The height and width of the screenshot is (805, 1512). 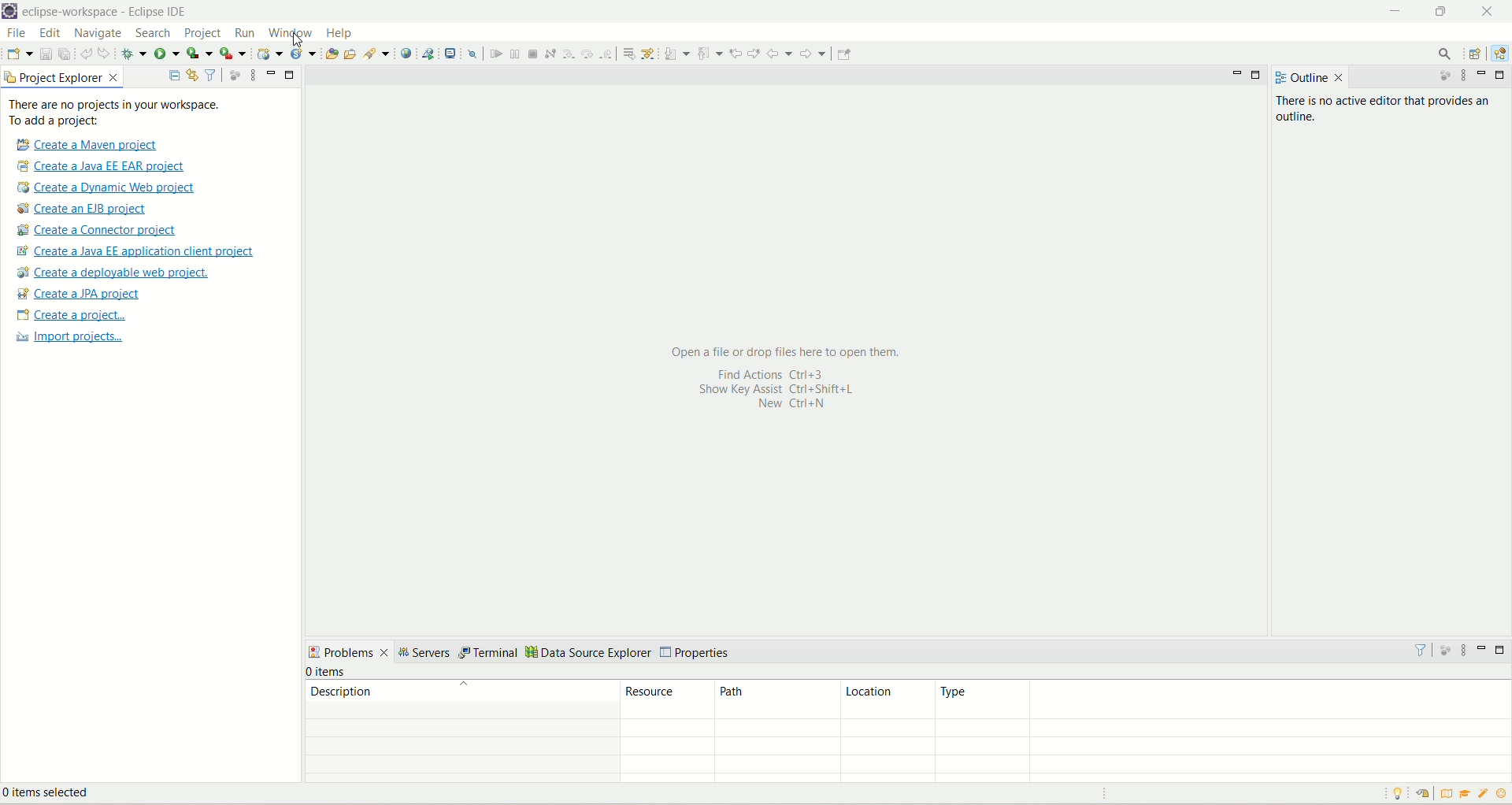 I want to click on navigate, so click(x=101, y=34).